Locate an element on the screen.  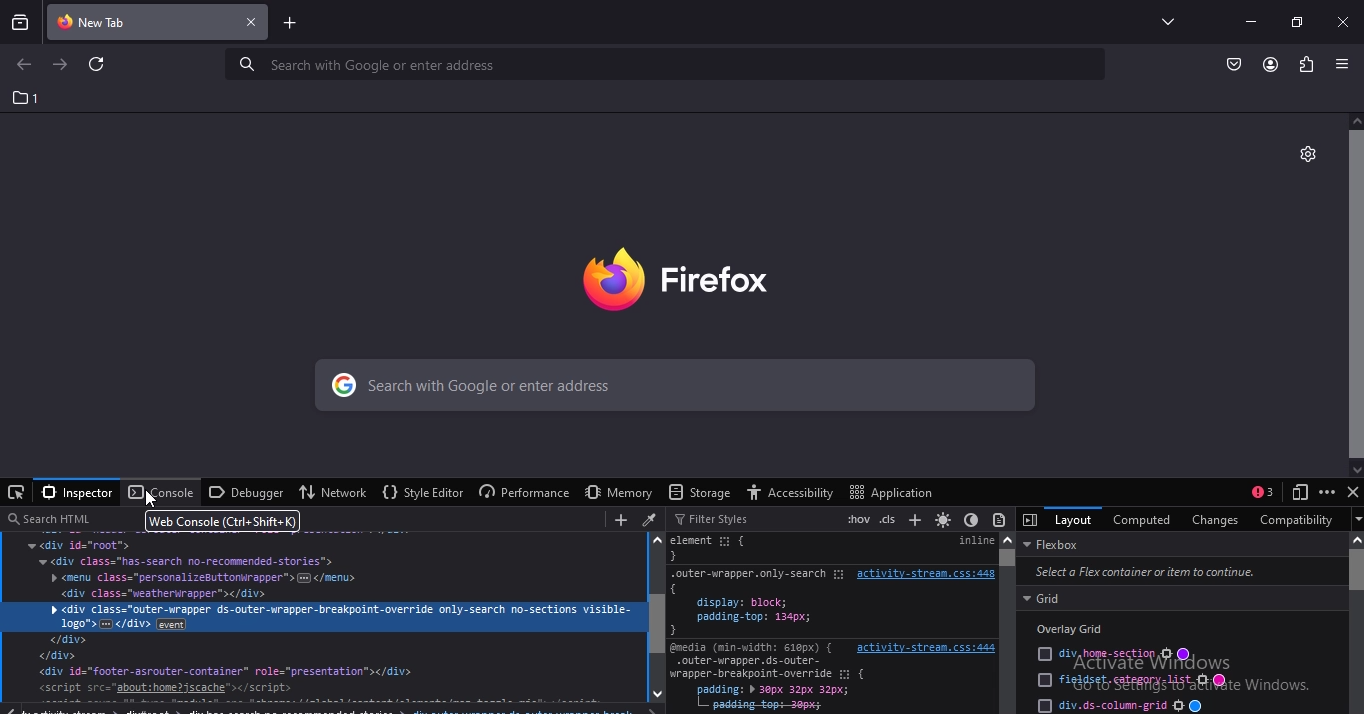
account is located at coordinates (1271, 64).